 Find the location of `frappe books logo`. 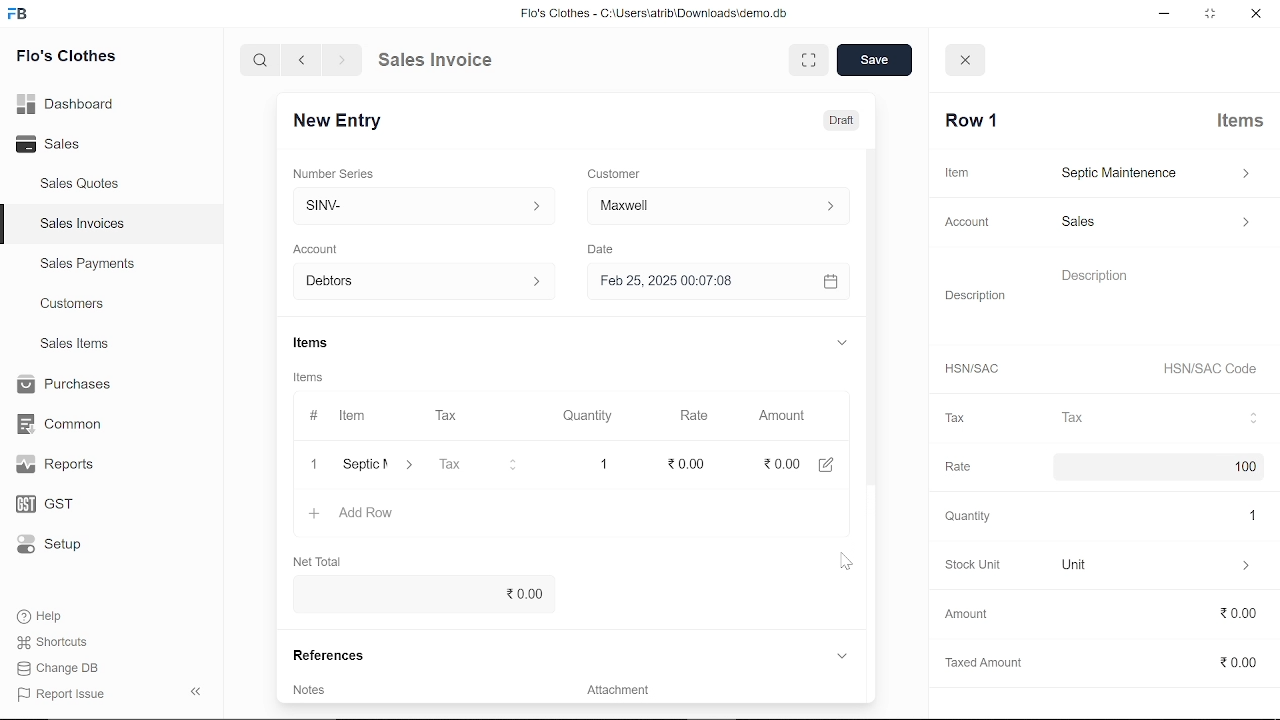

frappe books logo is located at coordinates (20, 17).